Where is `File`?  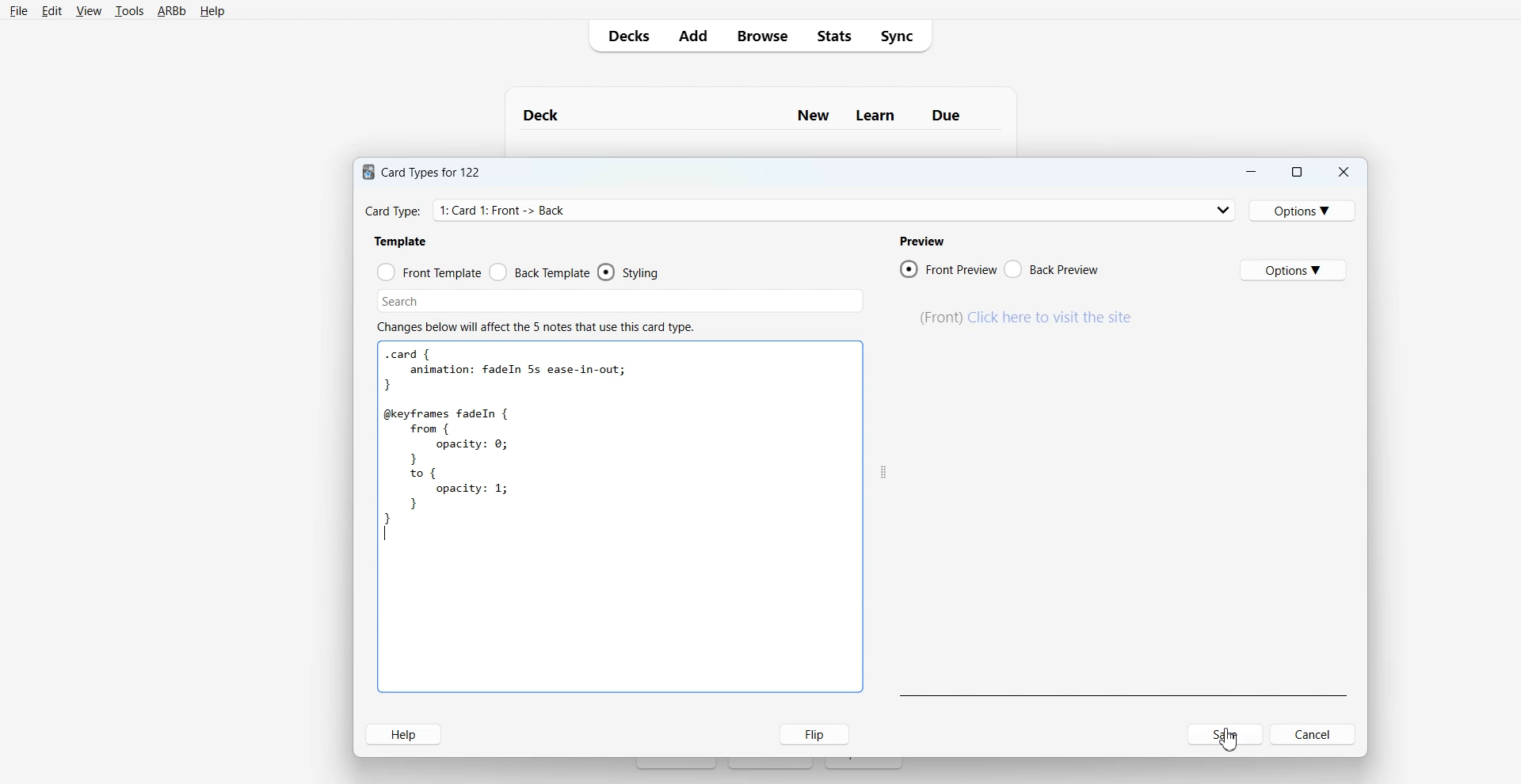 File is located at coordinates (18, 11).